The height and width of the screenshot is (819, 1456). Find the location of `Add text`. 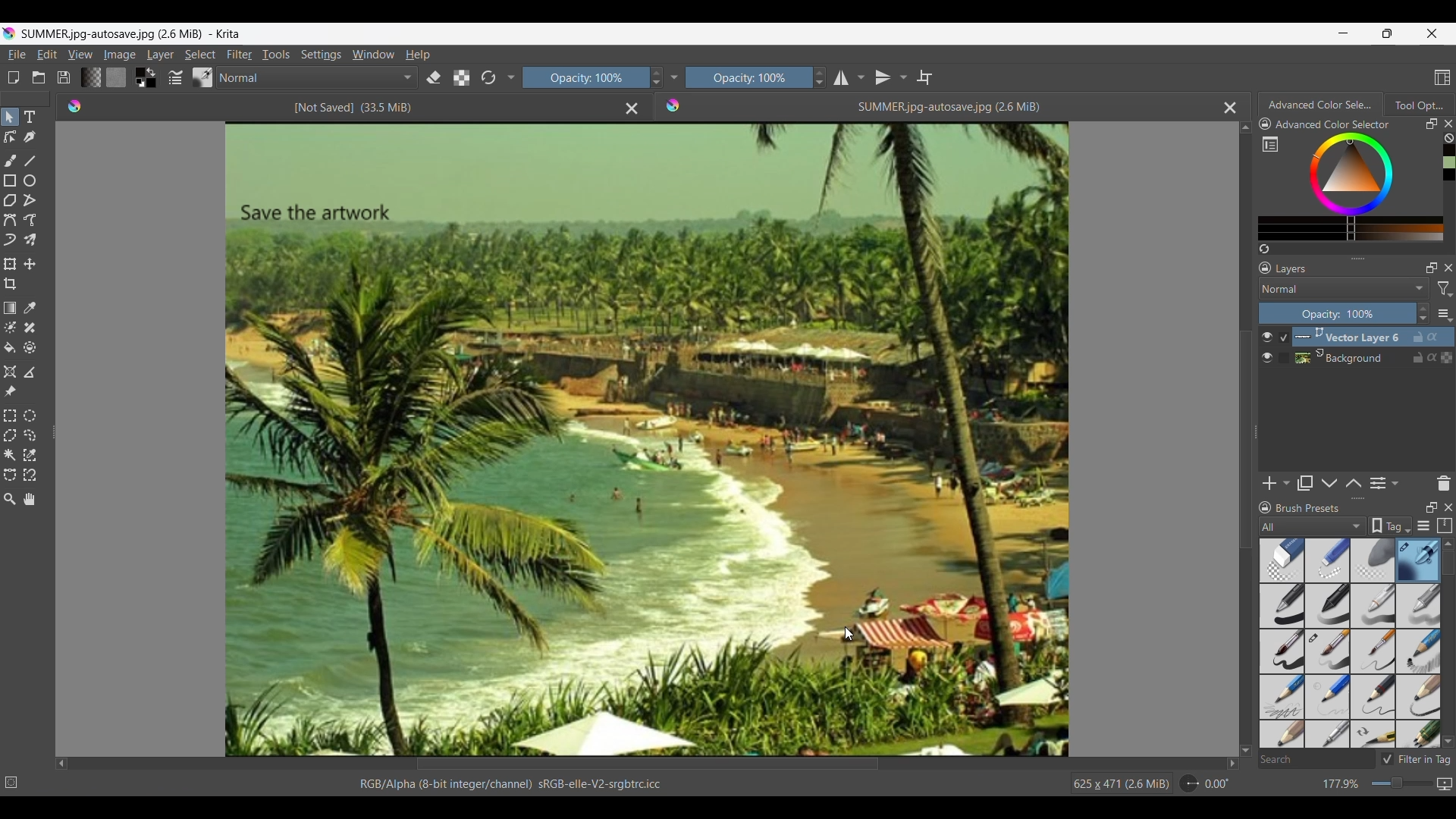

Add text is located at coordinates (30, 117).